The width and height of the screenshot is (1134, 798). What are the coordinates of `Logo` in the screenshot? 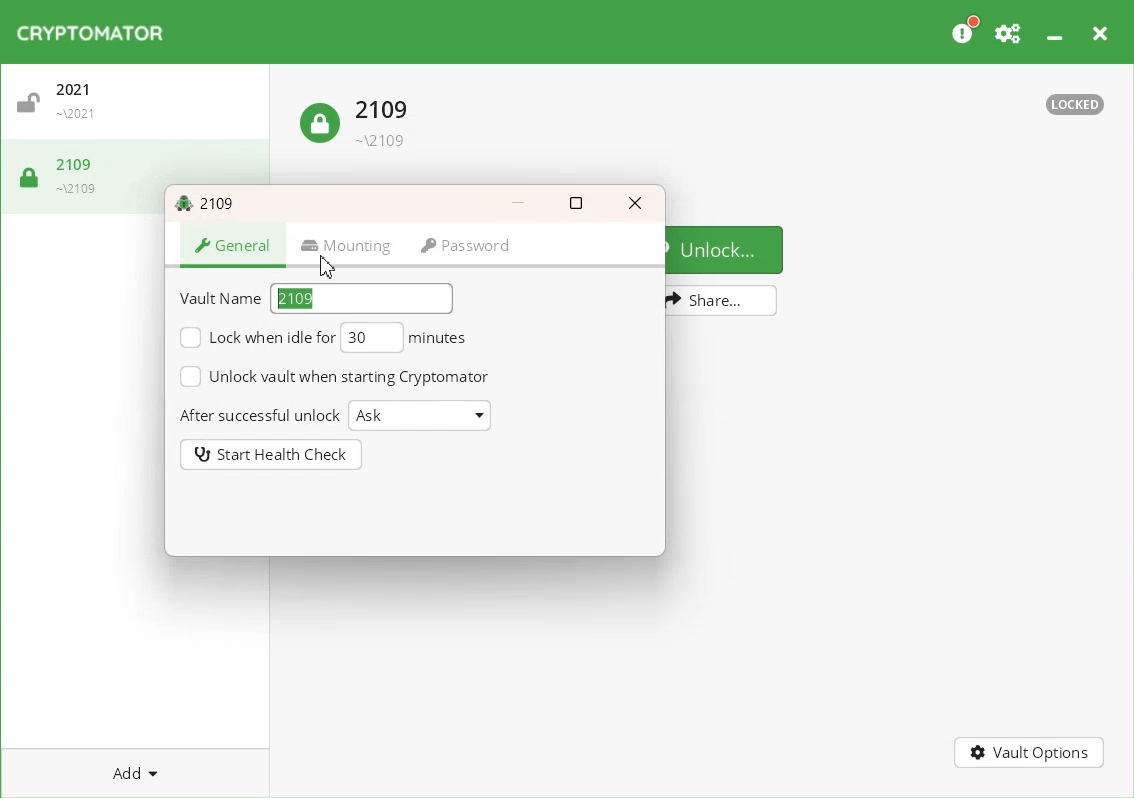 It's located at (93, 32).